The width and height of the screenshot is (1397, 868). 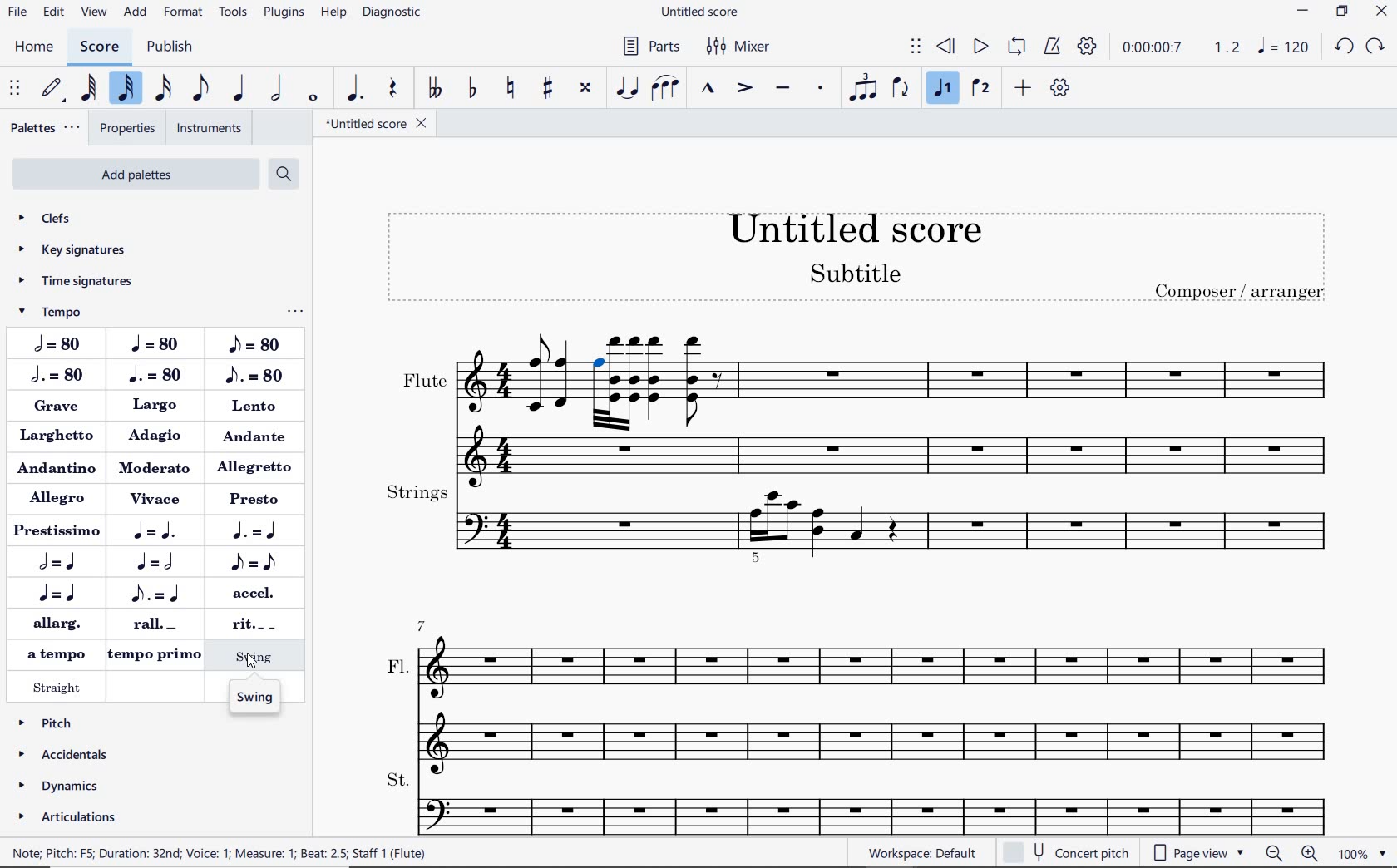 What do you see at coordinates (200, 89) in the screenshot?
I see `EIGHTH NOTE` at bounding box center [200, 89].